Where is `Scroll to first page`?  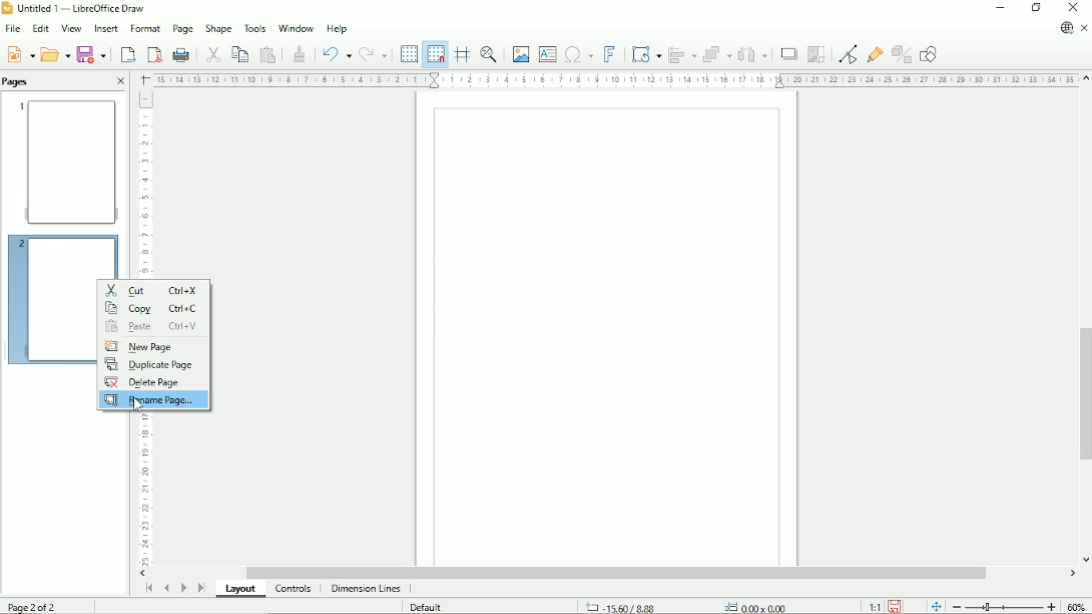
Scroll to first page is located at coordinates (148, 588).